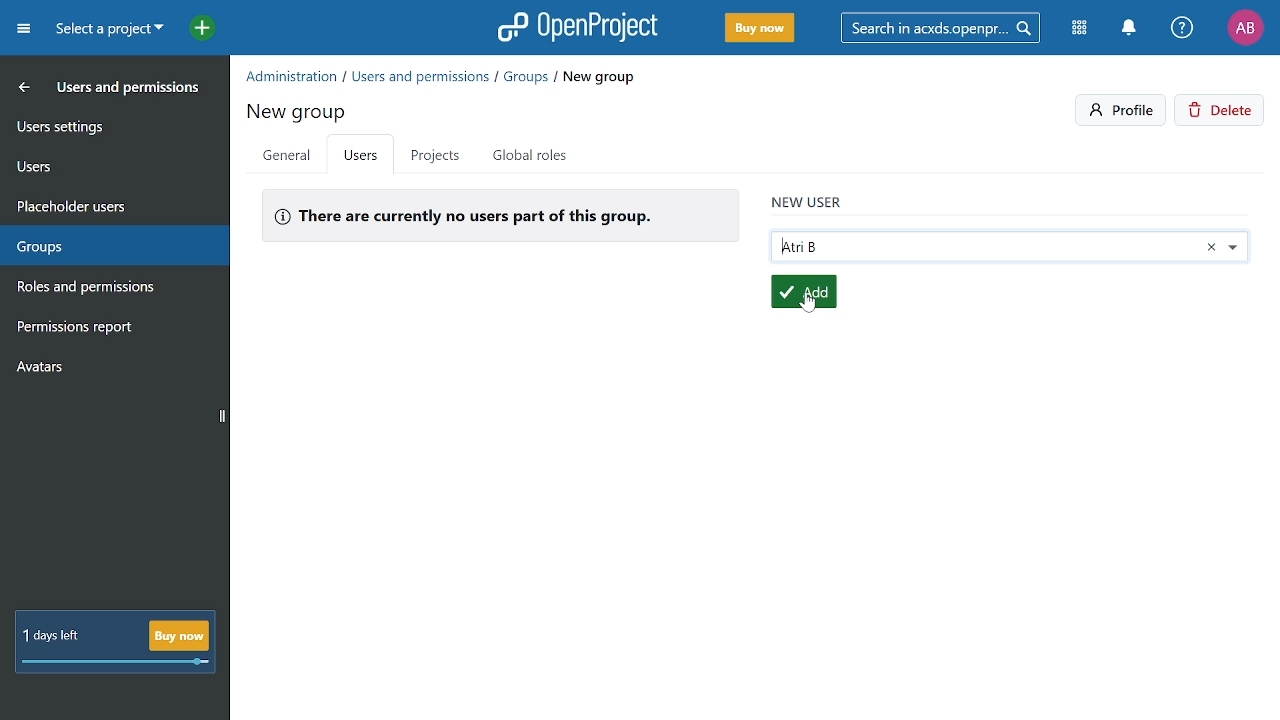 The height and width of the screenshot is (720, 1280). Describe the element at coordinates (110, 329) in the screenshot. I see `Permission report` at that location.